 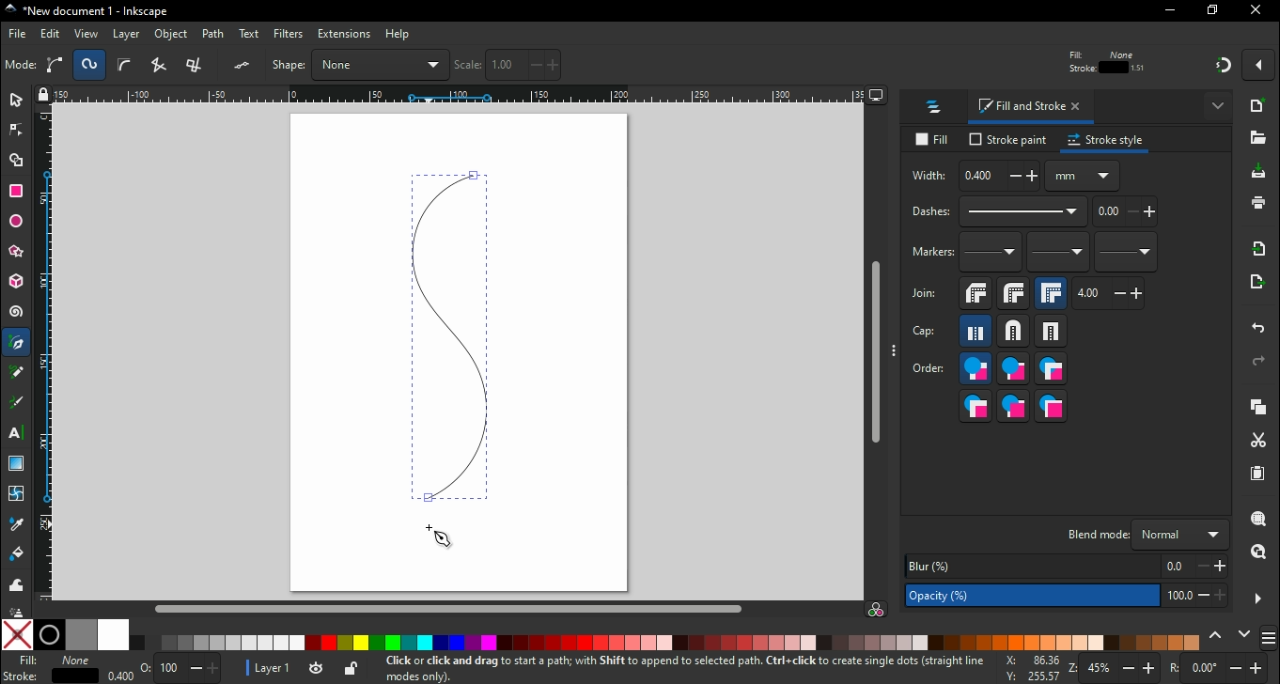 I want to click on import, so click(x=1262, y=253).